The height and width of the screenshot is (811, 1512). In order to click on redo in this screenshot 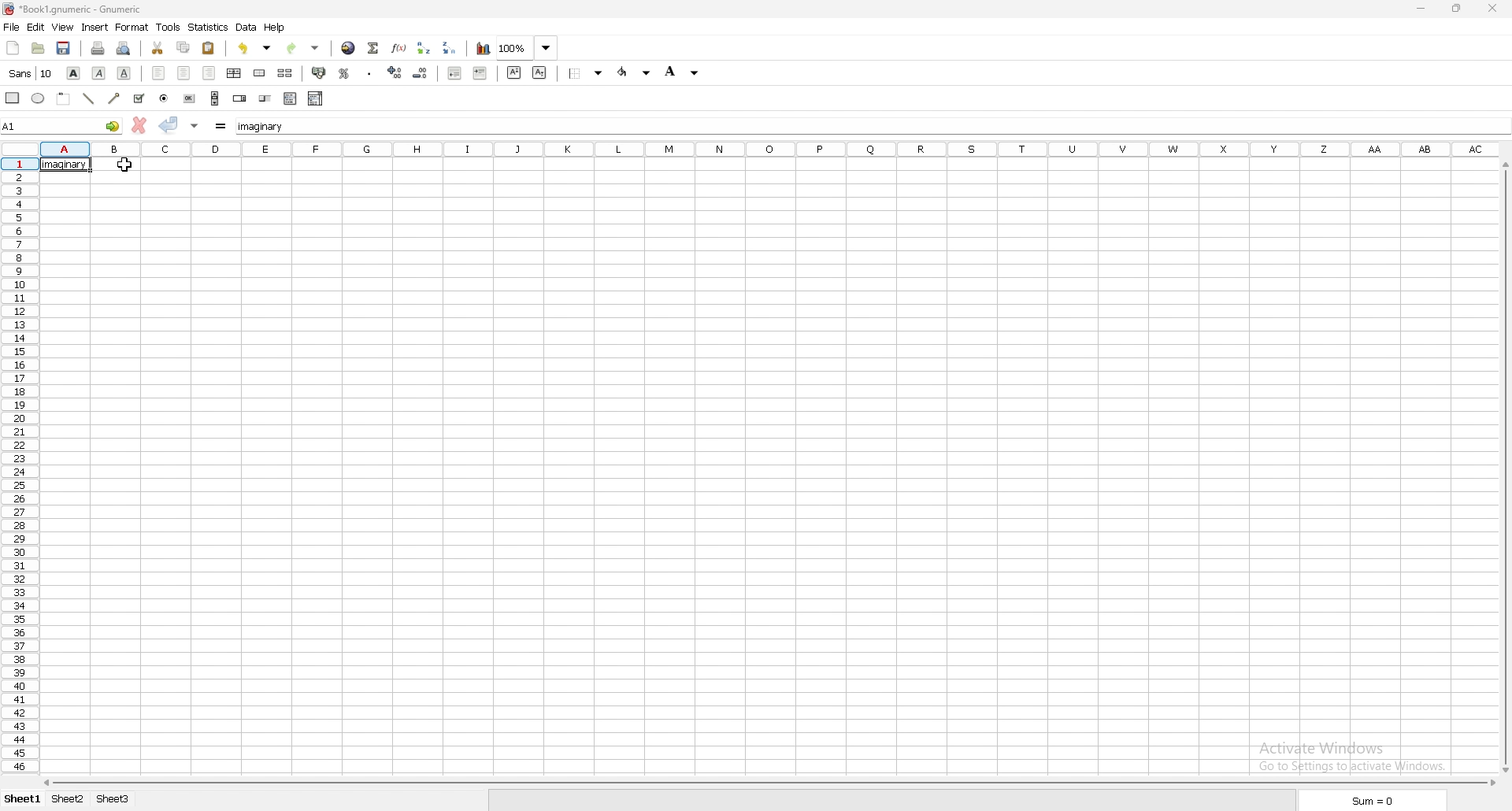, I will do `click(303, 48)`.